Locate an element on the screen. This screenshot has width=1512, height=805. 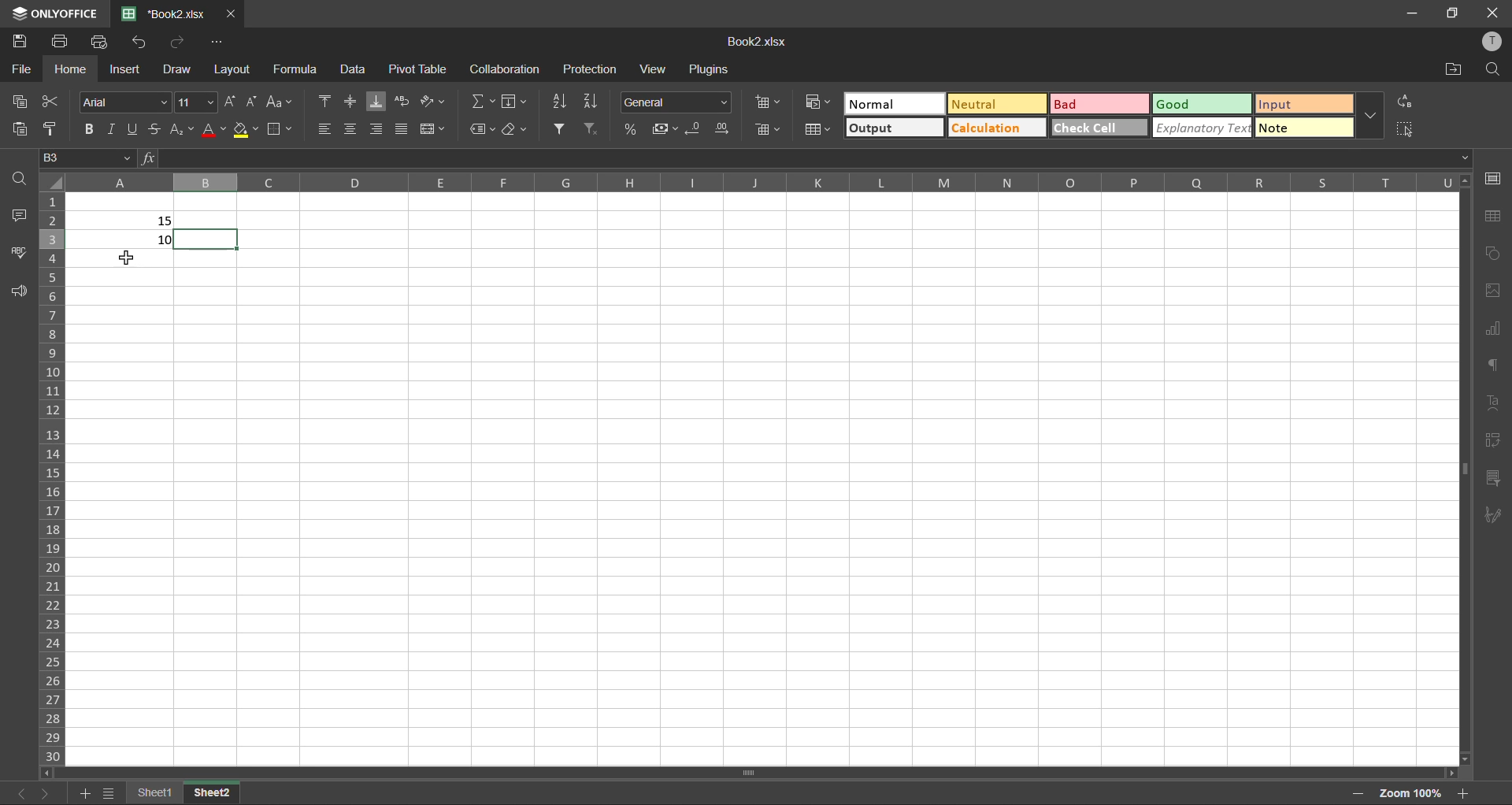
decrease decimal is located at coordinates (698, 129).